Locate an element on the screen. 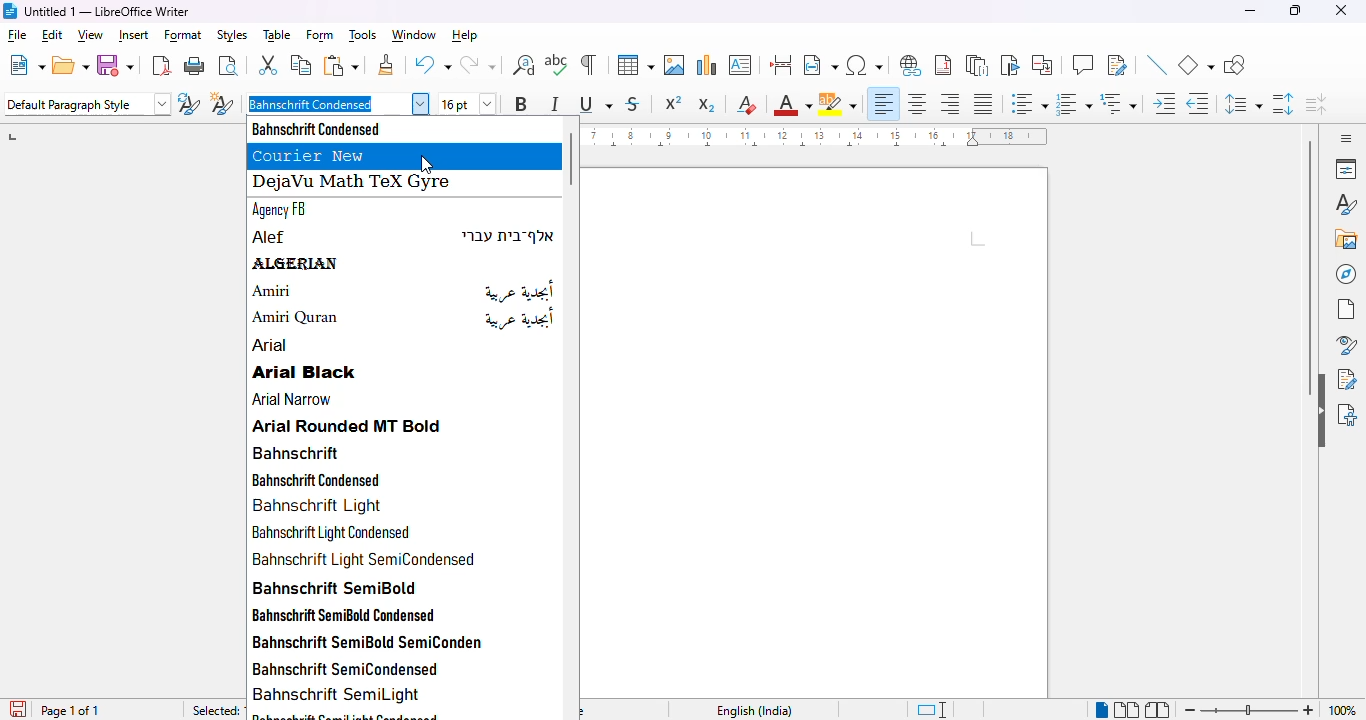 This screenshot has width=1366, height=720. amiri is located at coordinates (405, 291).